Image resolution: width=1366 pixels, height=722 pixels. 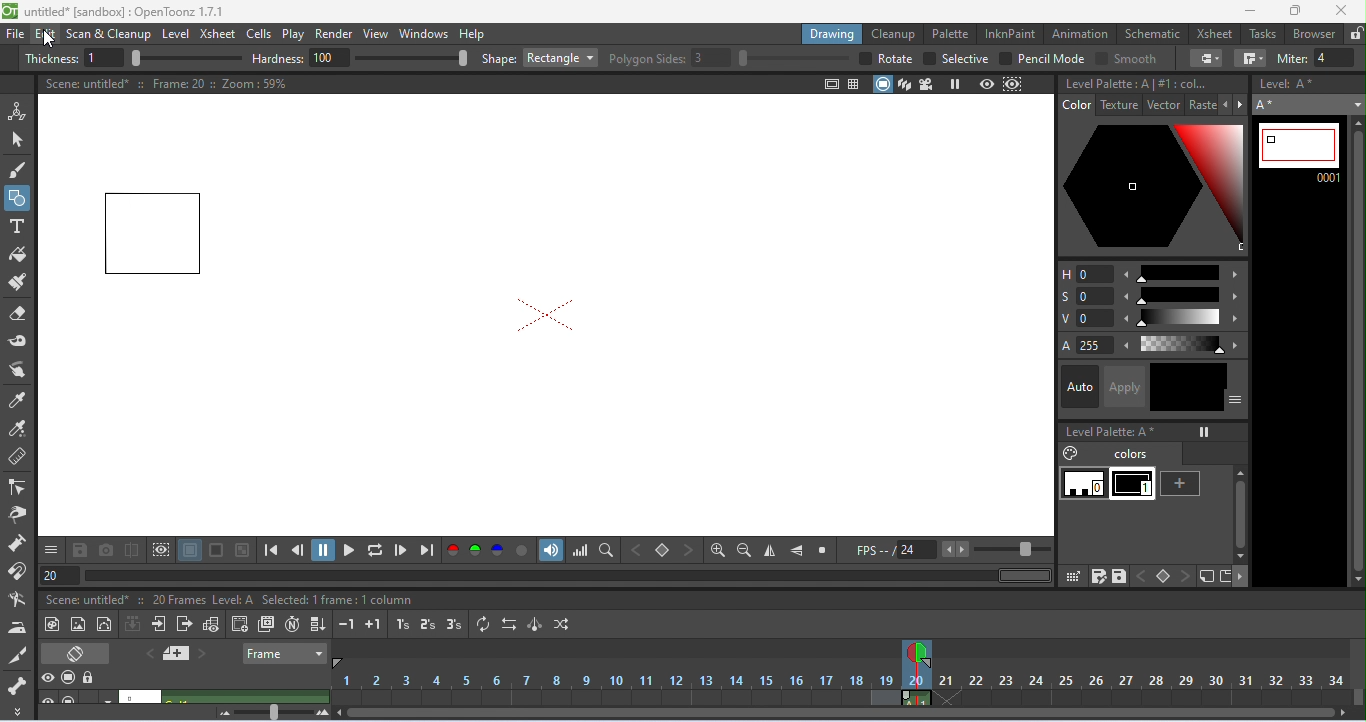 I want to click on help, so click(x=472, y=34).